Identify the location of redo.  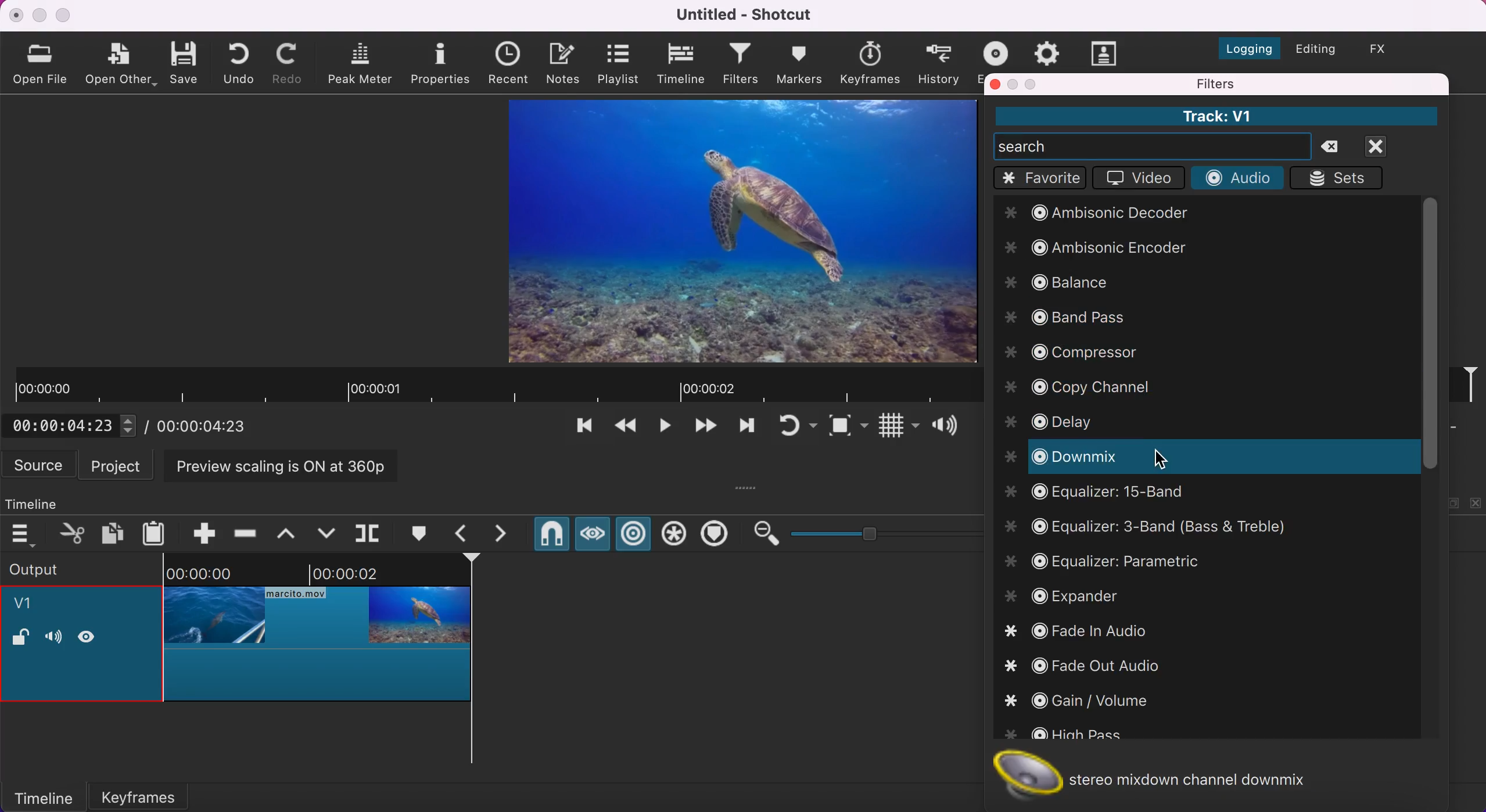
(290, 63).